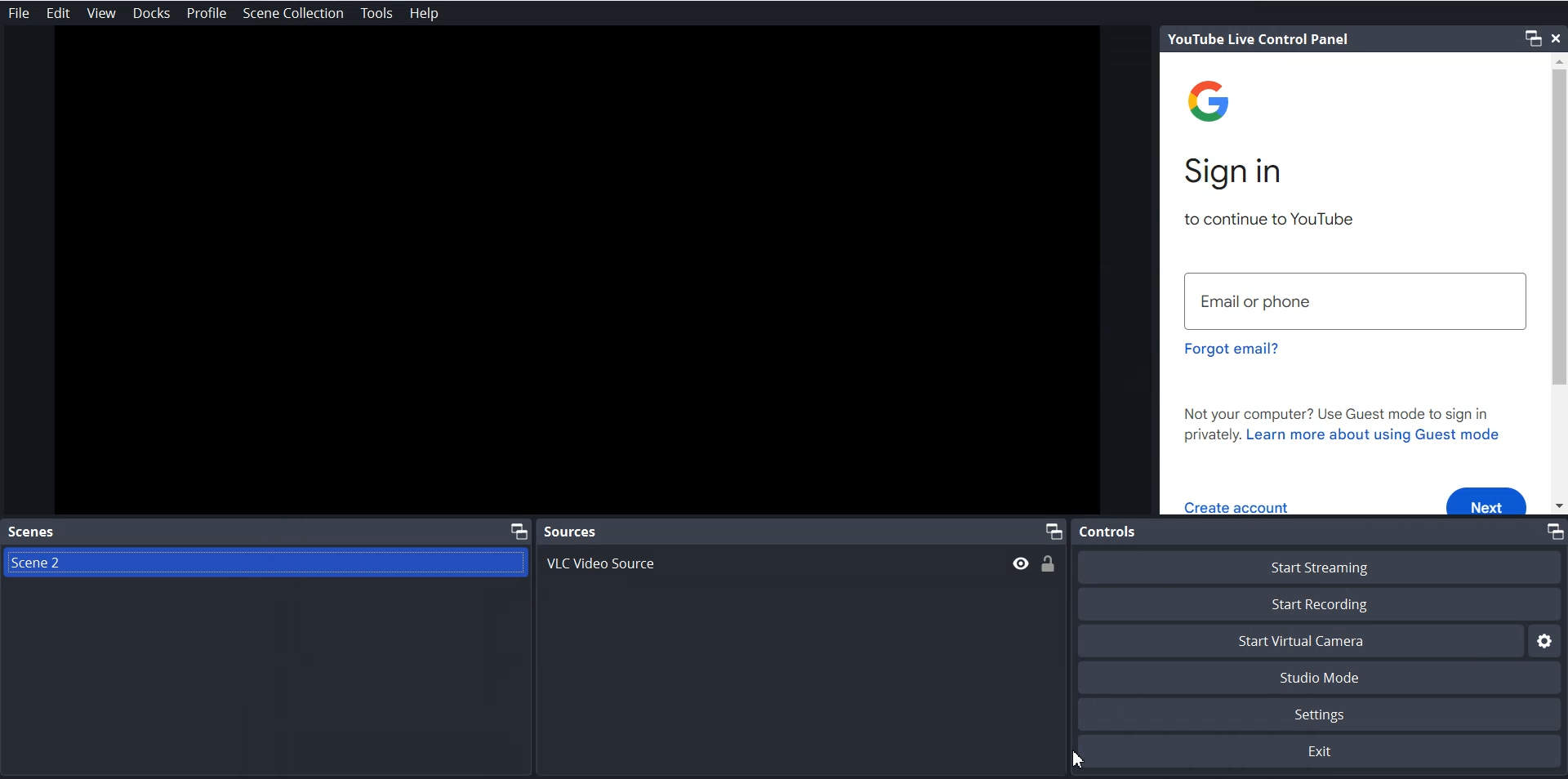 The height and width of the screenshot is (779, 1568). I want to click on Close, so click(1558, 37).